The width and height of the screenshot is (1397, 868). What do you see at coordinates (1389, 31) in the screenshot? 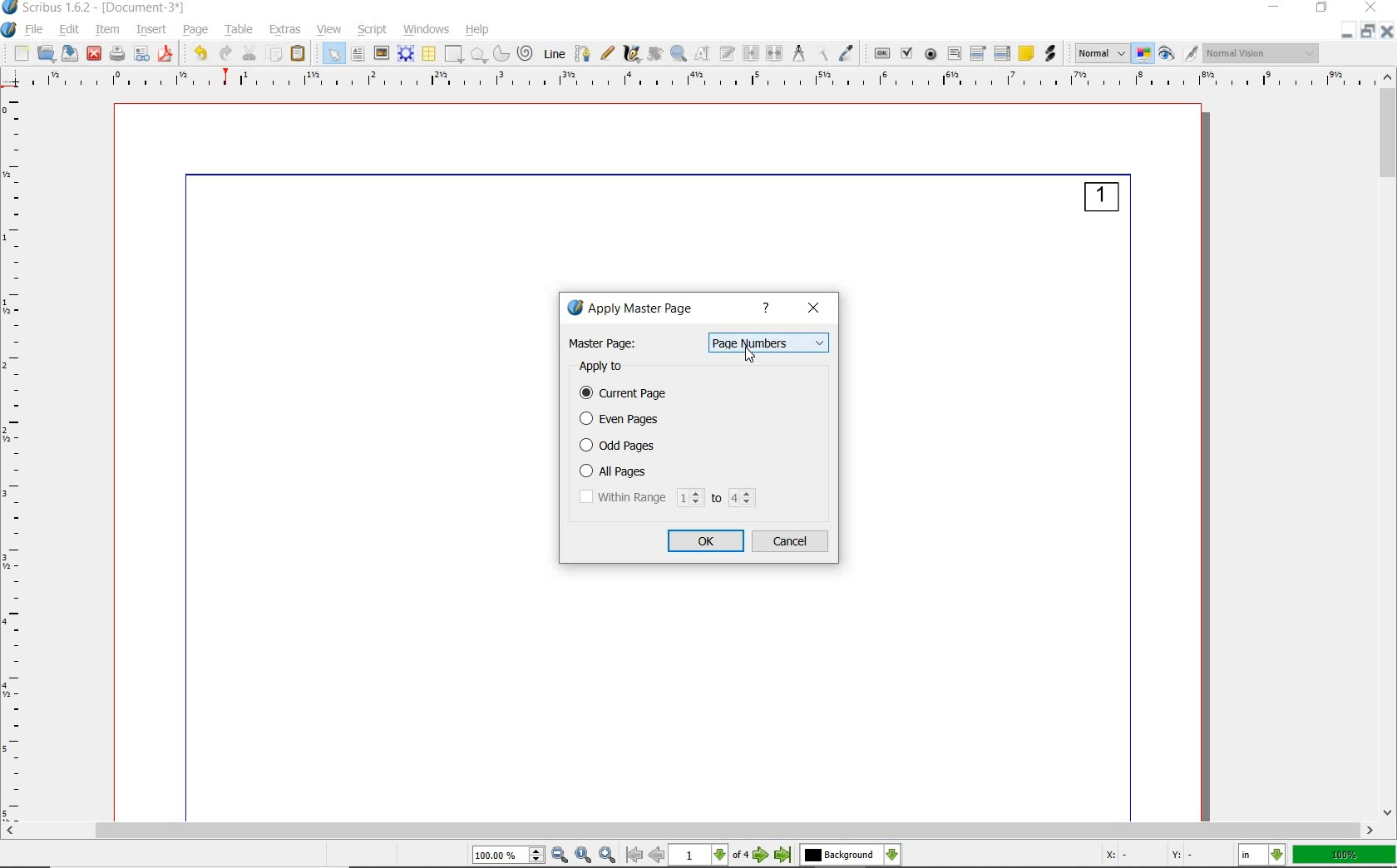
I see `close` at bounding box center [1389, 31].